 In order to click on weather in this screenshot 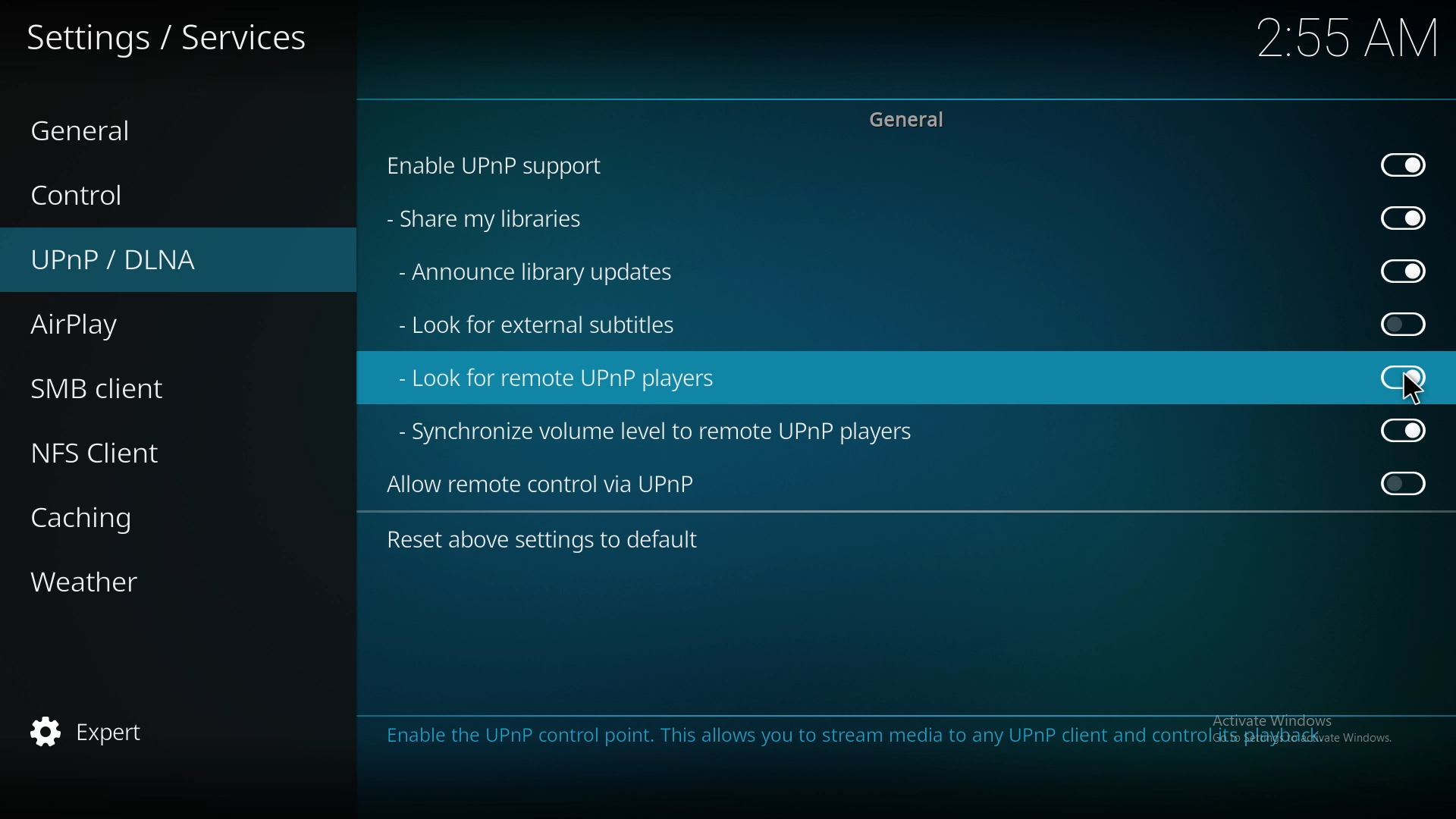, I will do `click(110, 580)`.